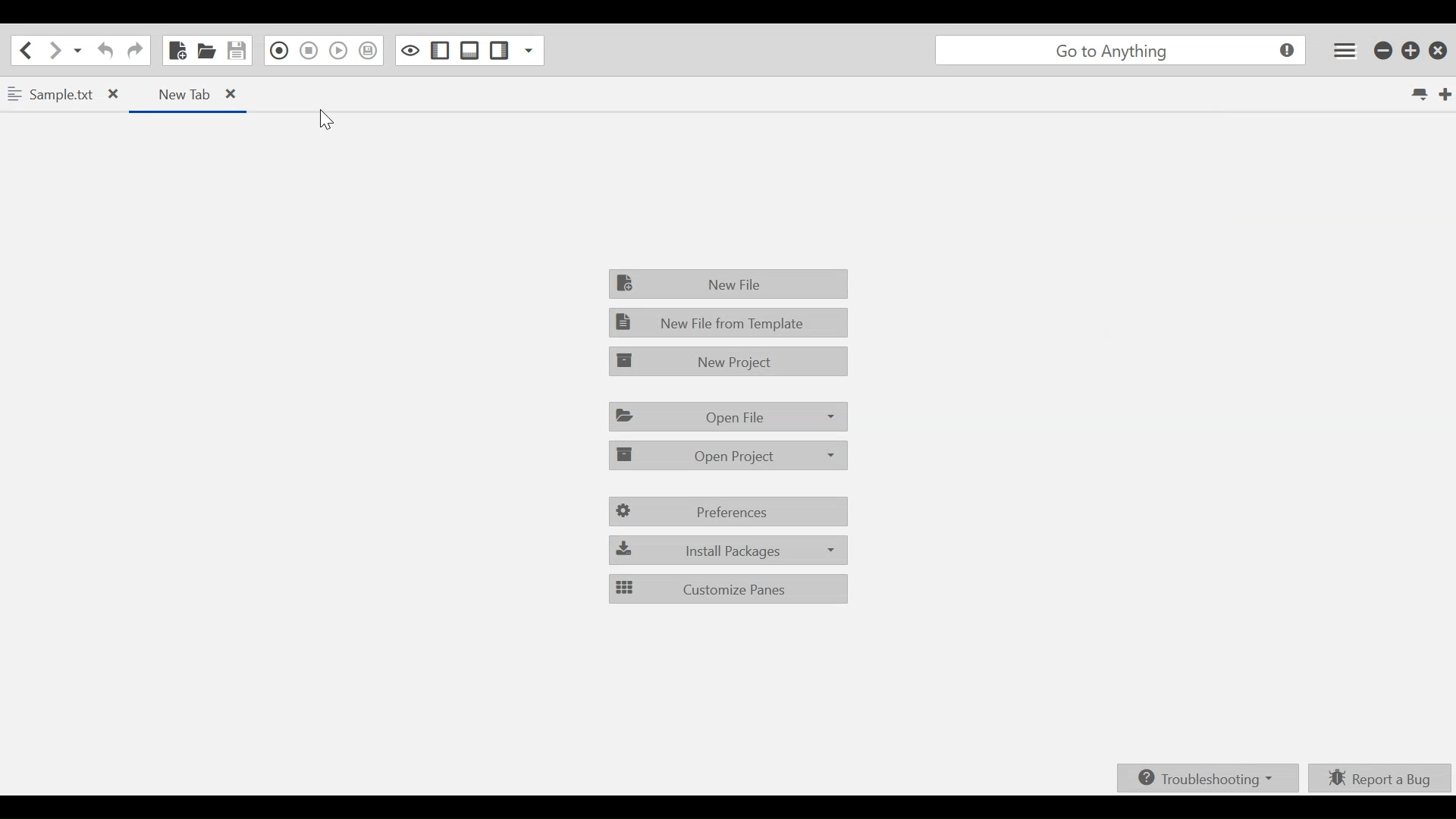 This screenshot has height=819, width=1456. Describe the element at coordinates (308, 52) in the screenshot. I see `Stop Recording in Macro` at that location.